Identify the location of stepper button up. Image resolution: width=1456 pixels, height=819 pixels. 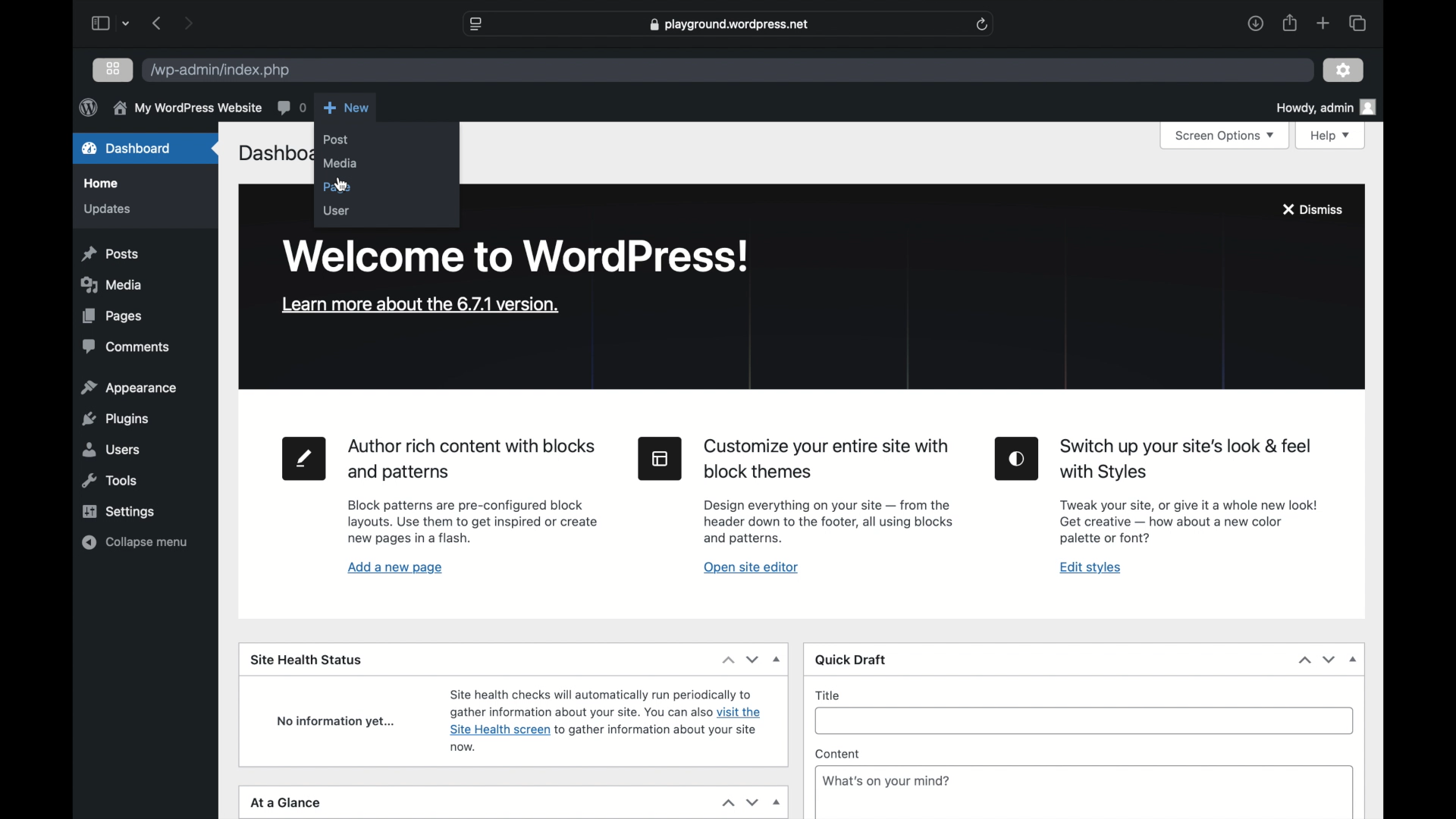
(726, 804).